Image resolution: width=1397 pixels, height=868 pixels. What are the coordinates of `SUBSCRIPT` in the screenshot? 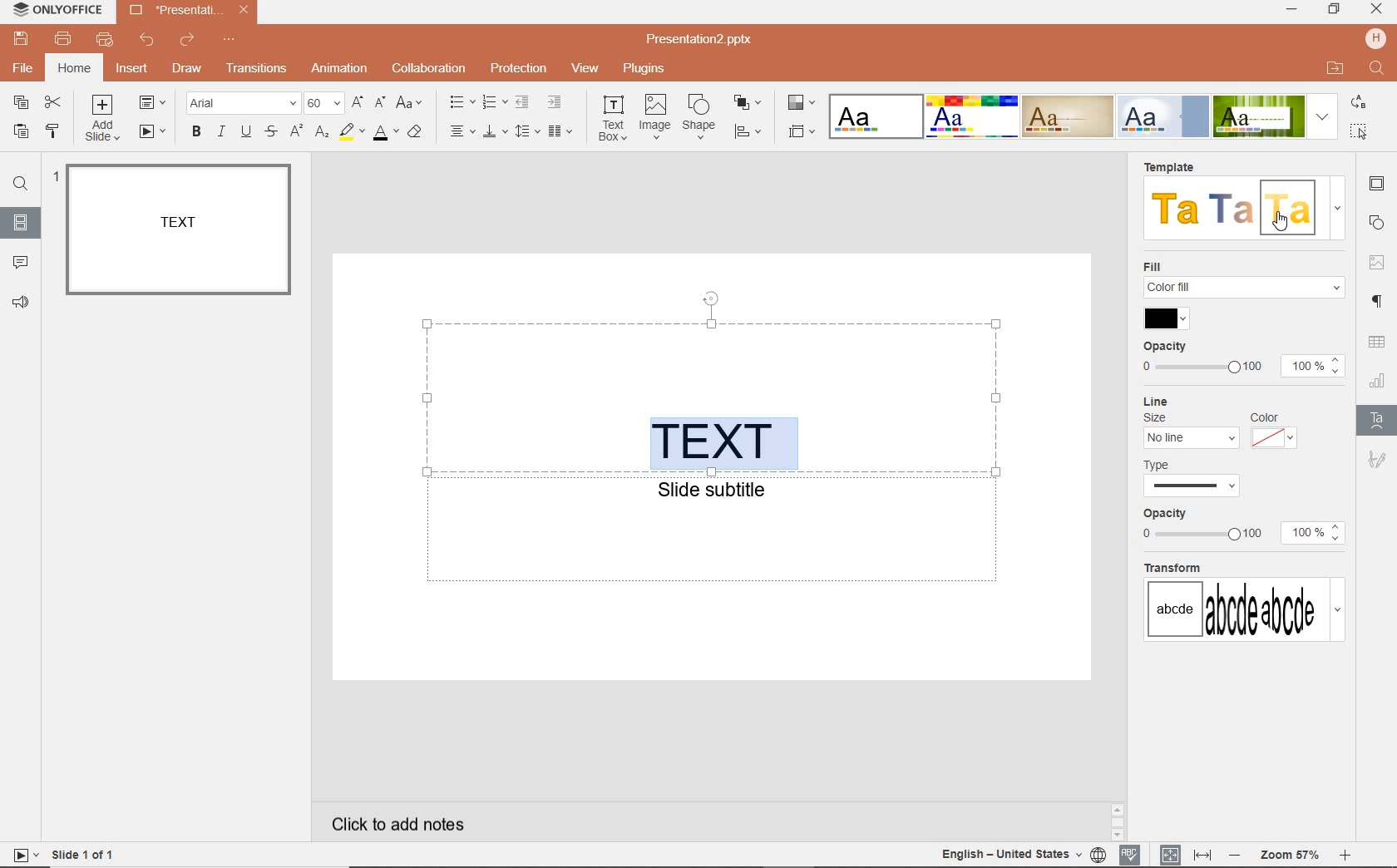 It's located at (322, 133).